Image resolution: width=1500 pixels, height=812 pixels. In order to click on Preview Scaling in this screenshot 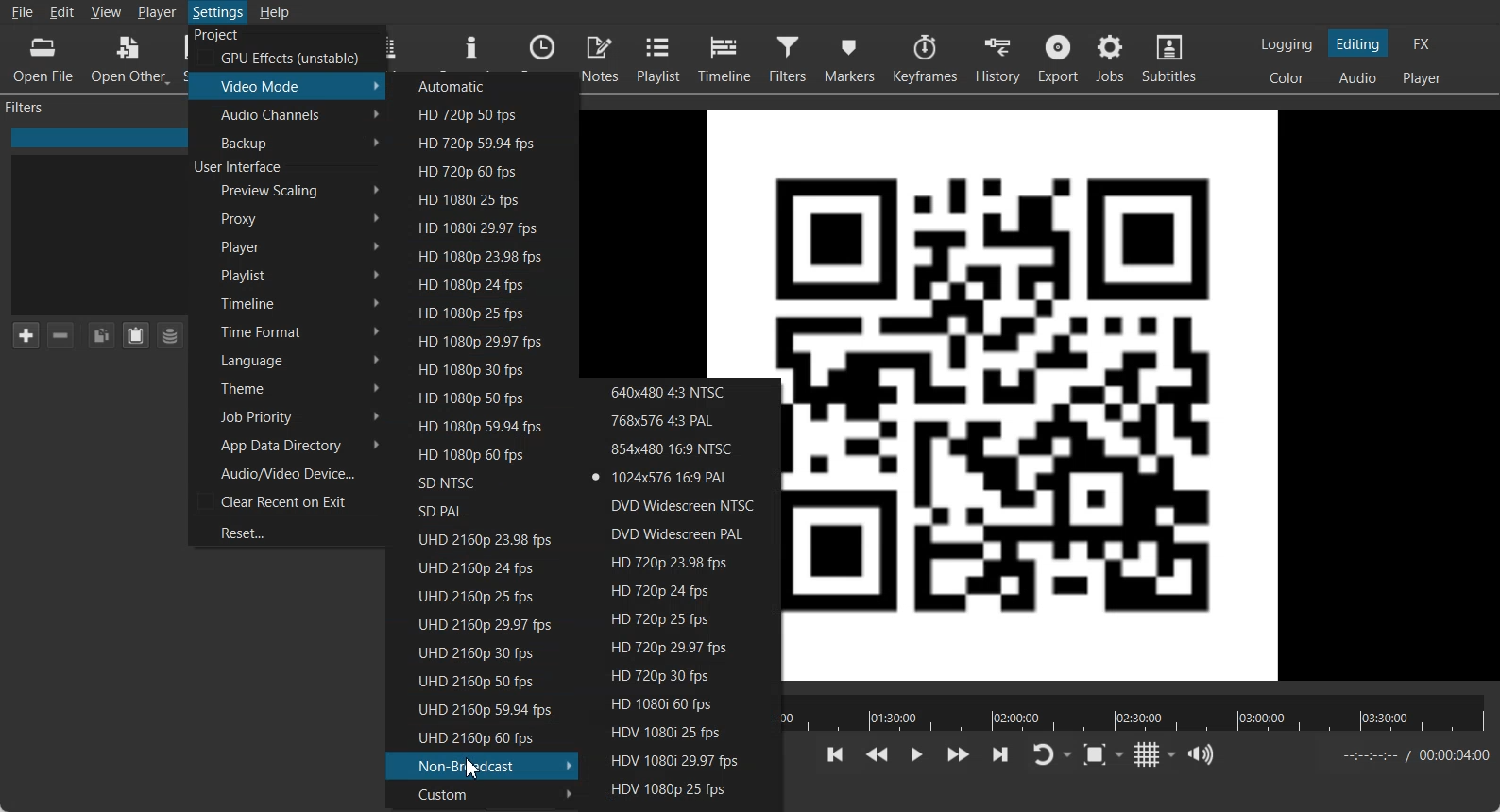, I will do `click(288, 191)`.